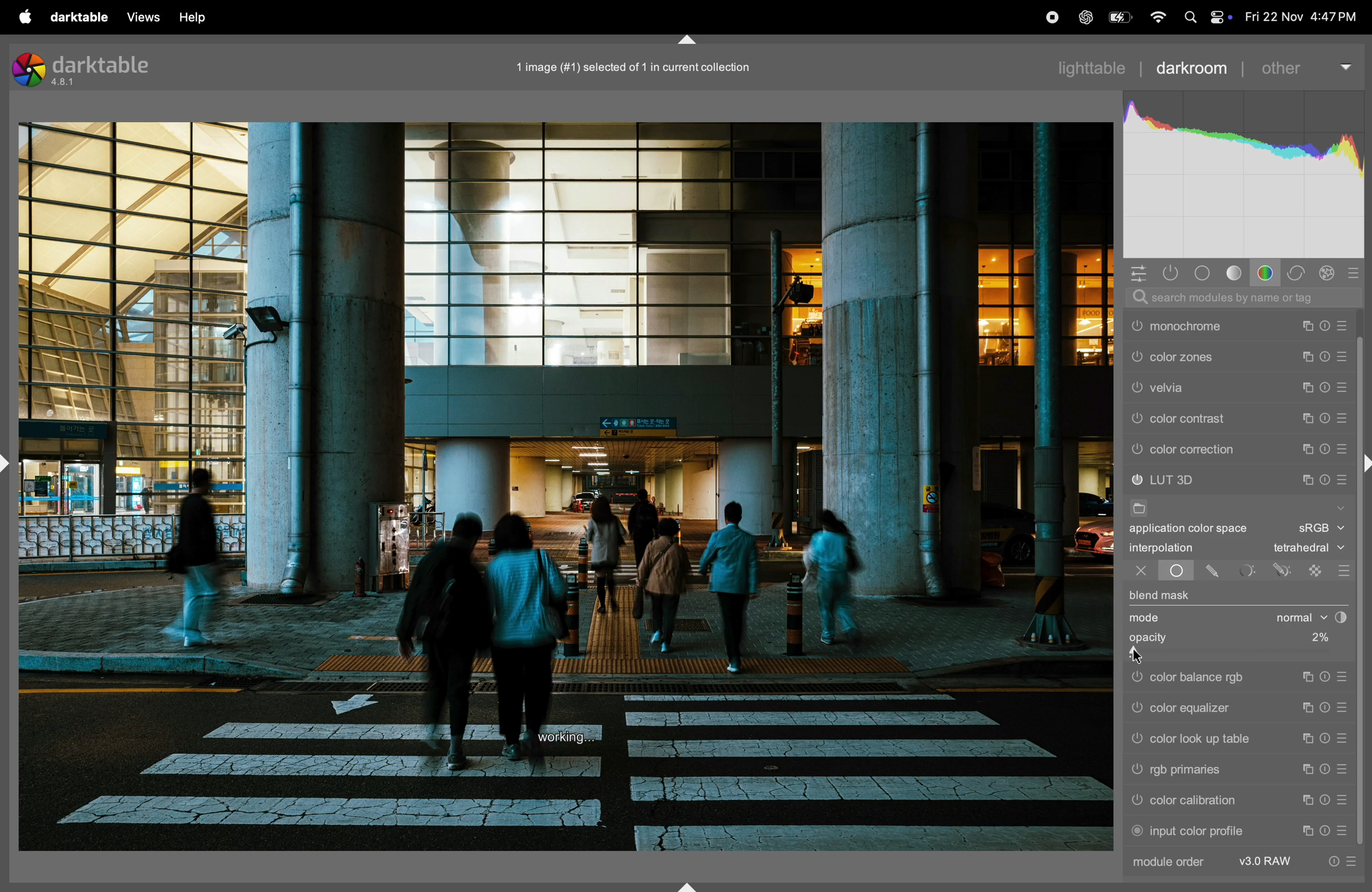  I want to click on application color space, so click(1198, 530).